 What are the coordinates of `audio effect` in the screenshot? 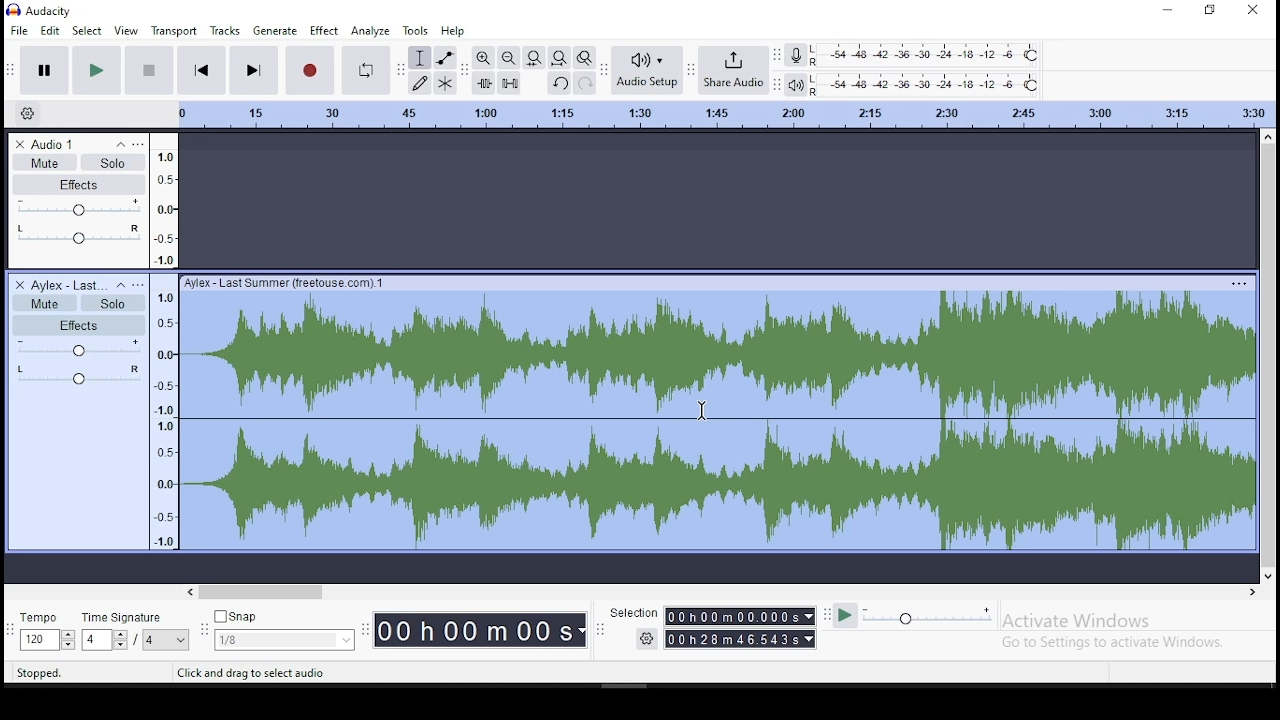 It's located at (79, 381).